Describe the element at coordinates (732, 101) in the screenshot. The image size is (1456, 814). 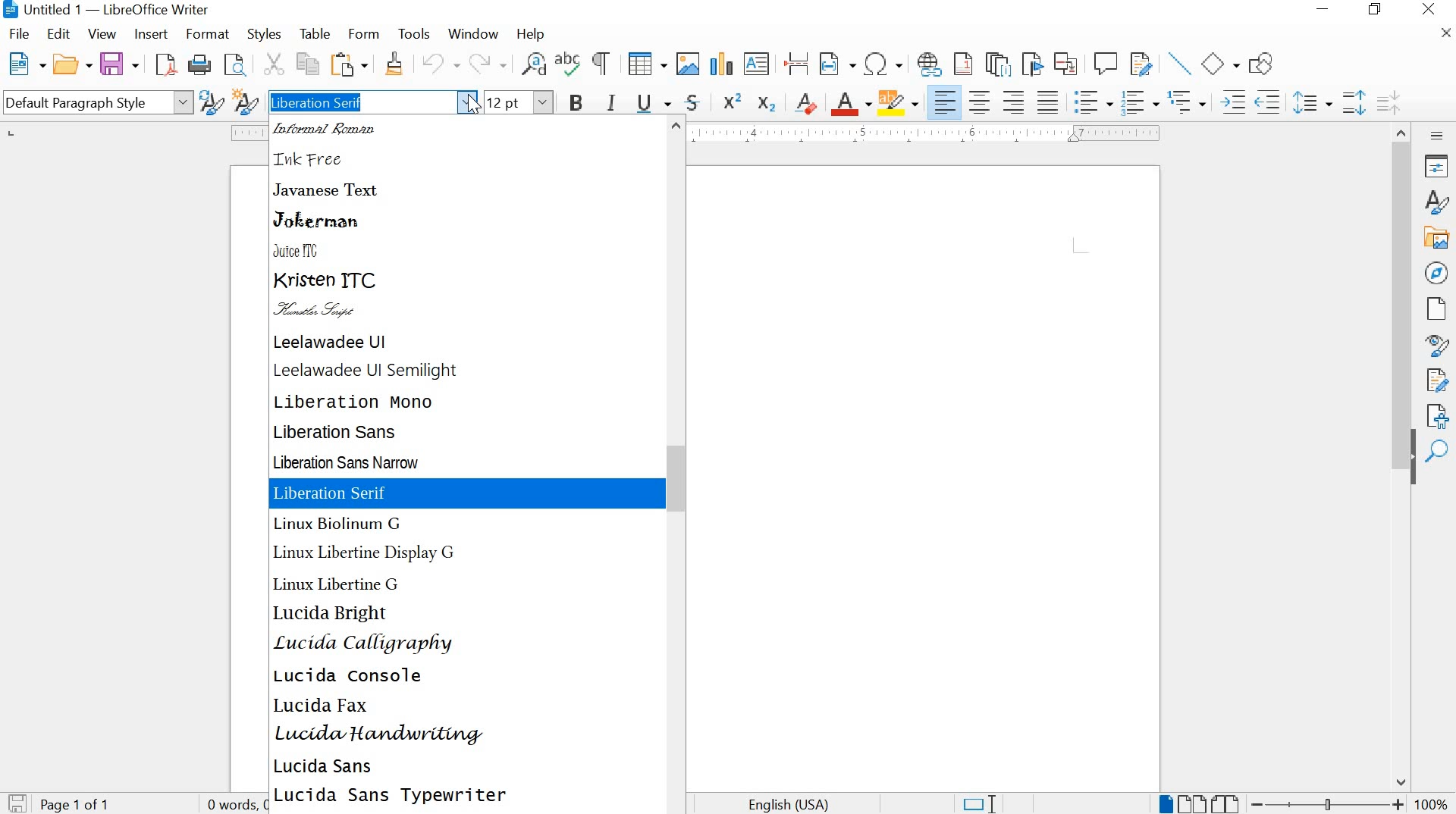
I see `SUPERSCRIPT` at that location.